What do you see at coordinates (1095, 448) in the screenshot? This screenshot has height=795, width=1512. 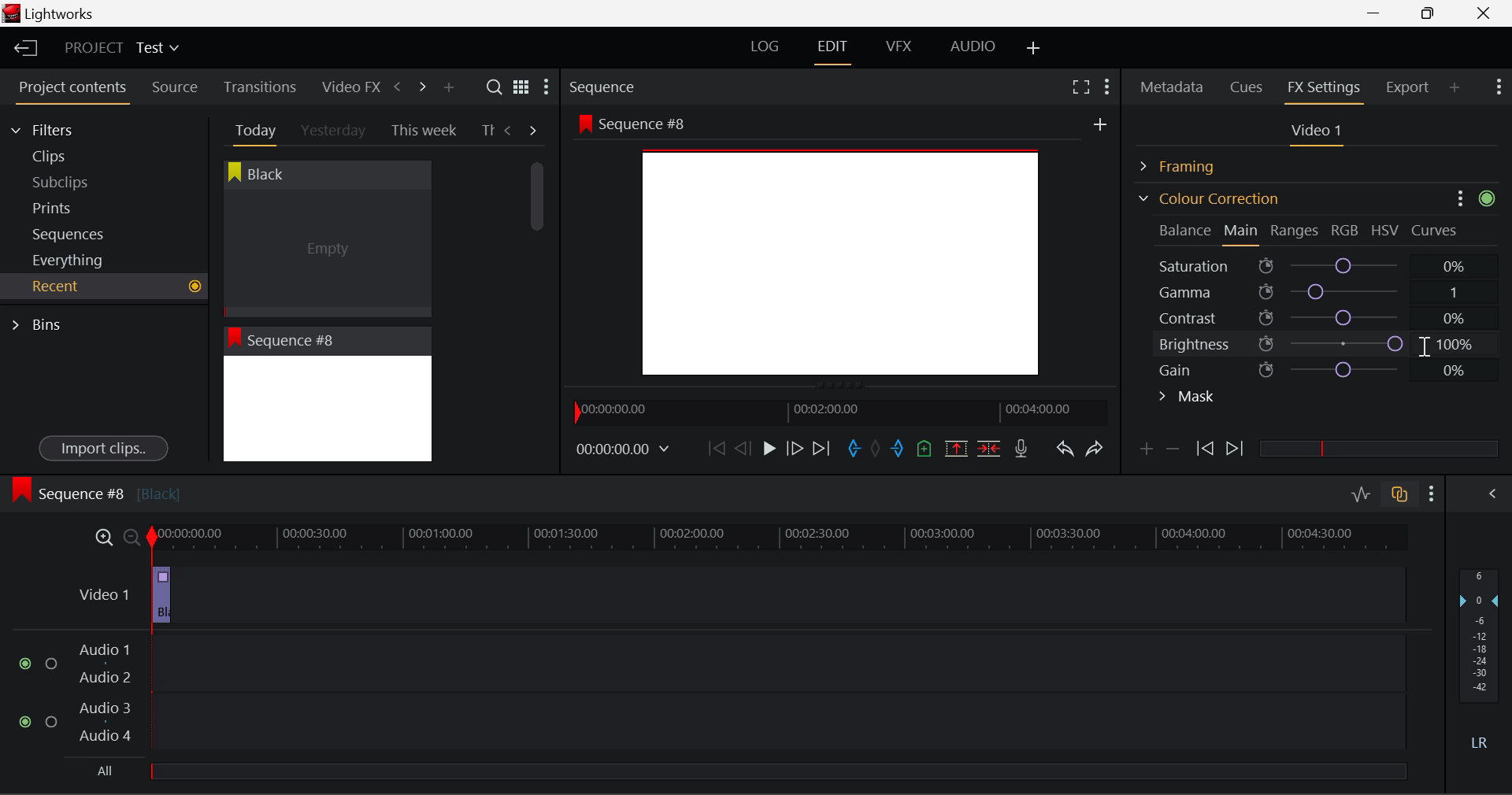 I see `Redo` at bounding box center [1095, 448].